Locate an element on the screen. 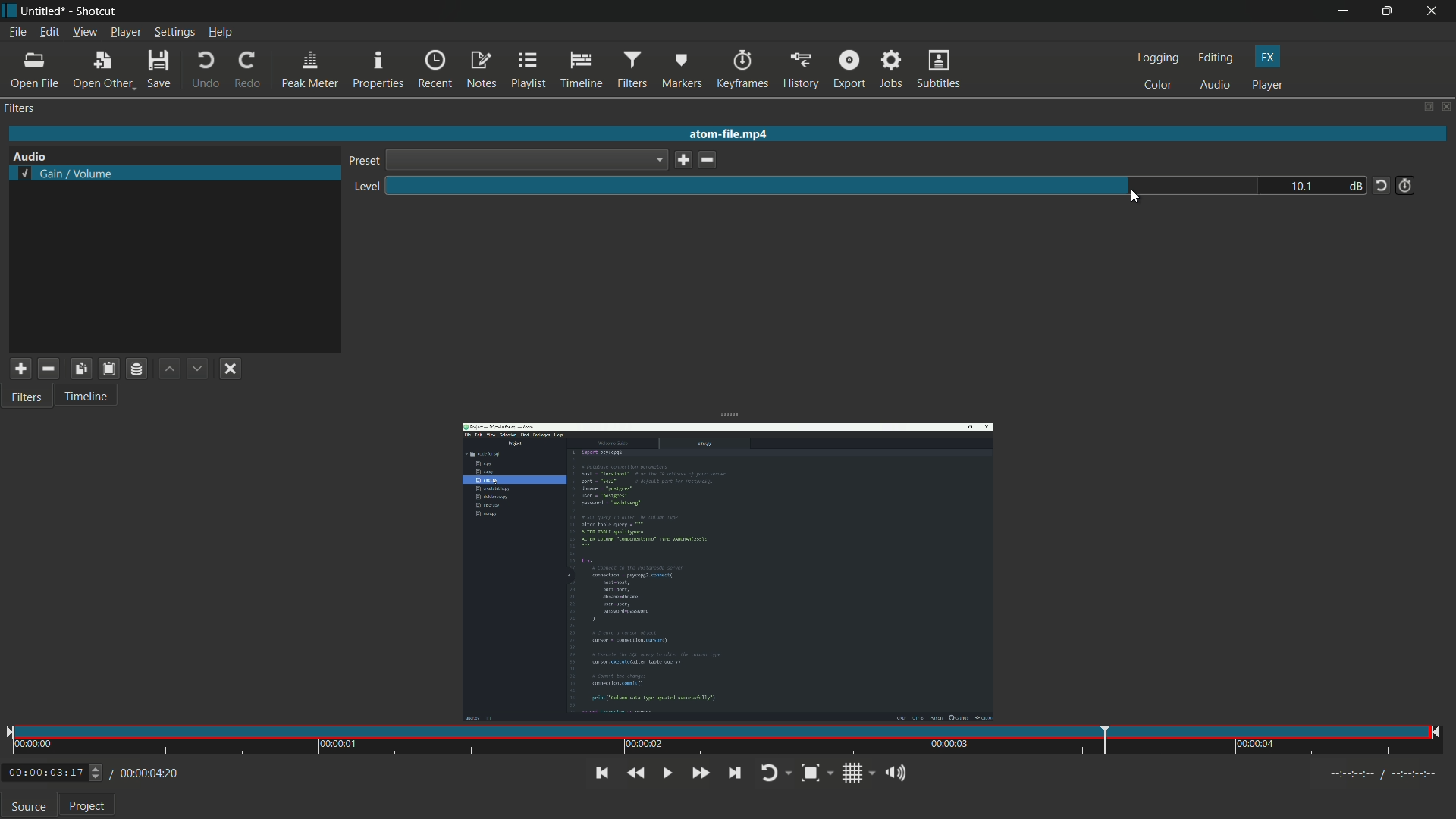  move filter up is located at coordinates (168, 369).